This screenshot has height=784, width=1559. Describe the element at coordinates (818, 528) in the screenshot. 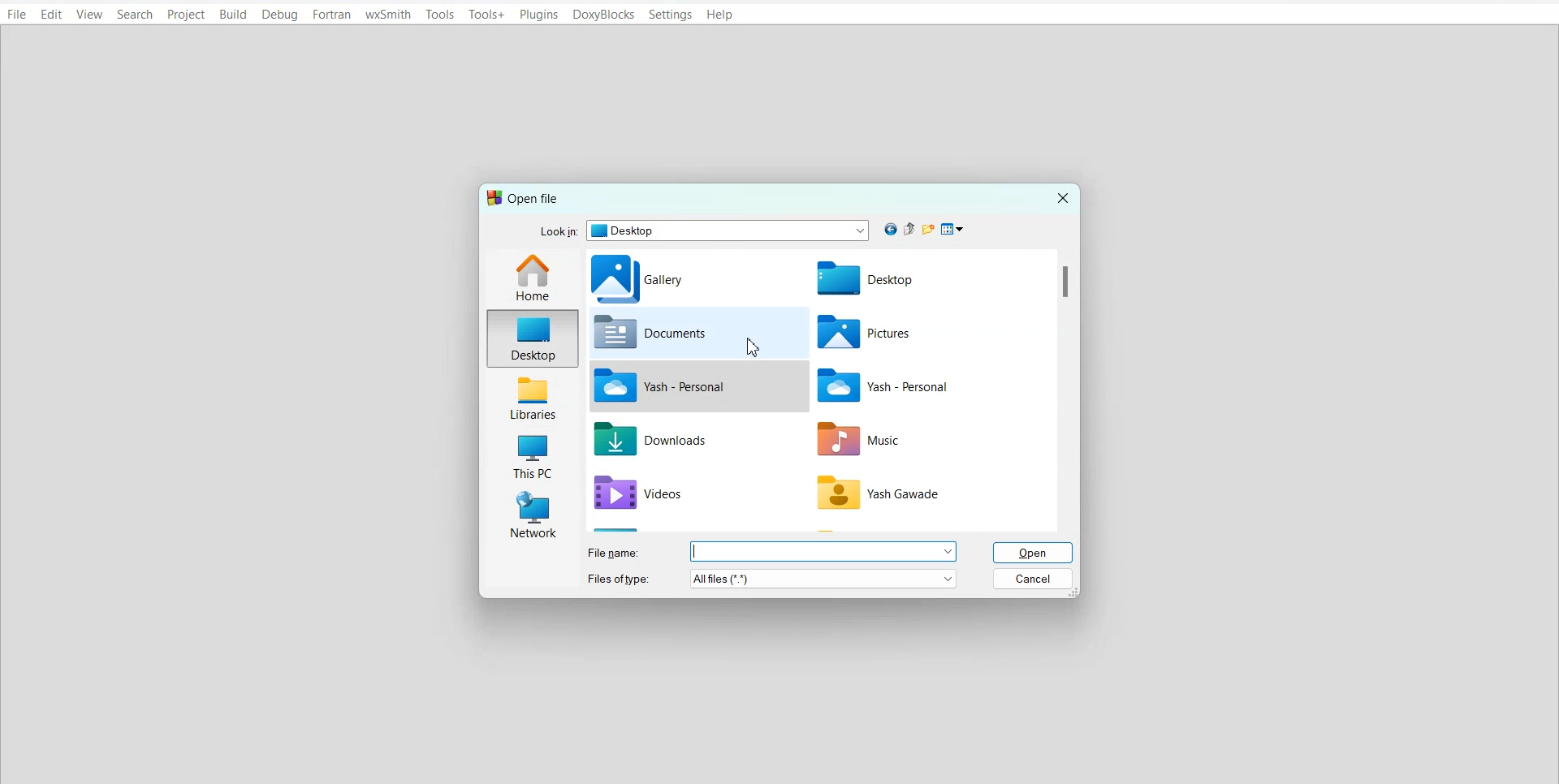

I see `Horizontal scroll bar` at that location.